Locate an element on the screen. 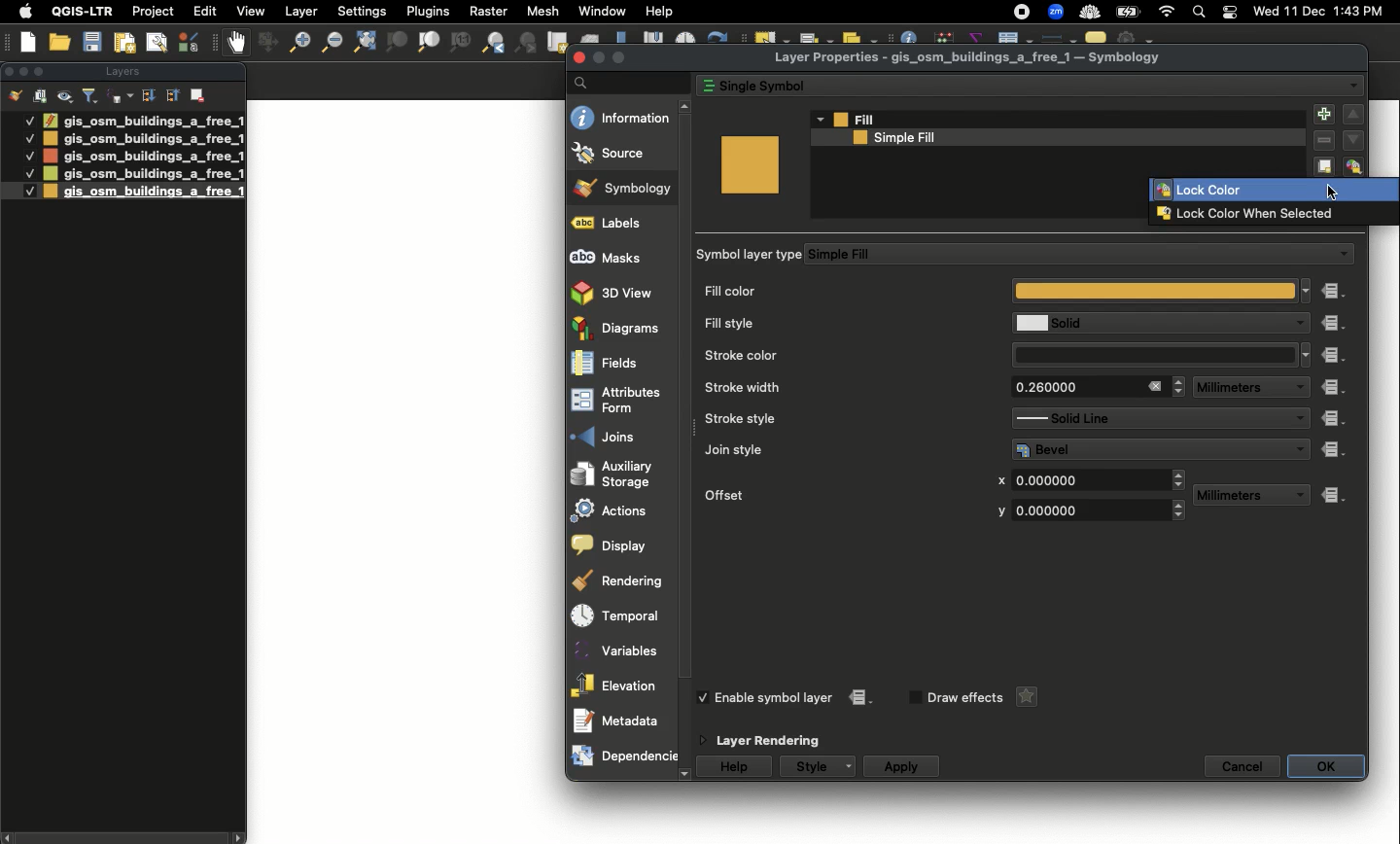  1:1 is located at coordinates (459, 43).